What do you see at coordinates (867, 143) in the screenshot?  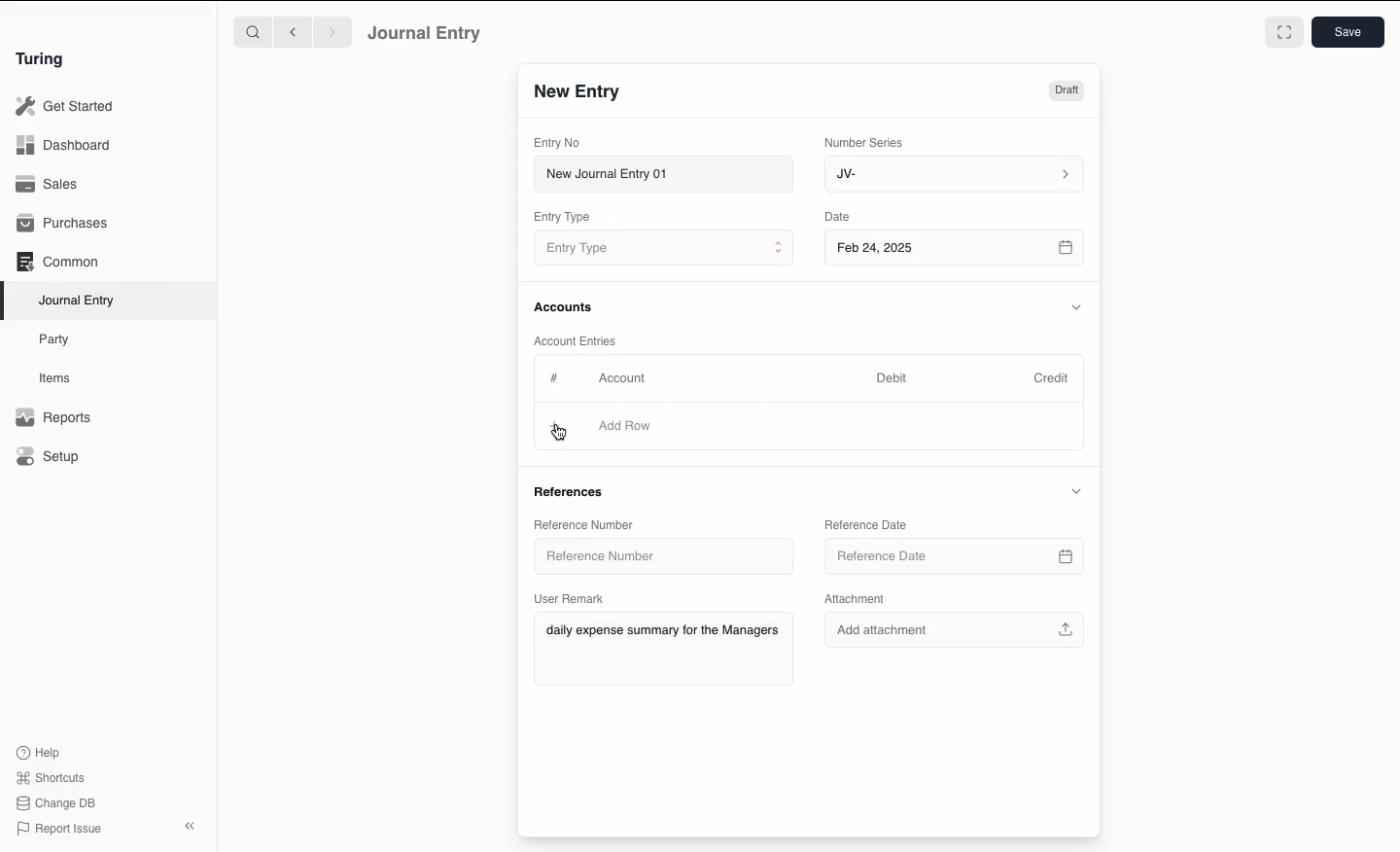 I see `Number Series` at bounding box center [867, 143].